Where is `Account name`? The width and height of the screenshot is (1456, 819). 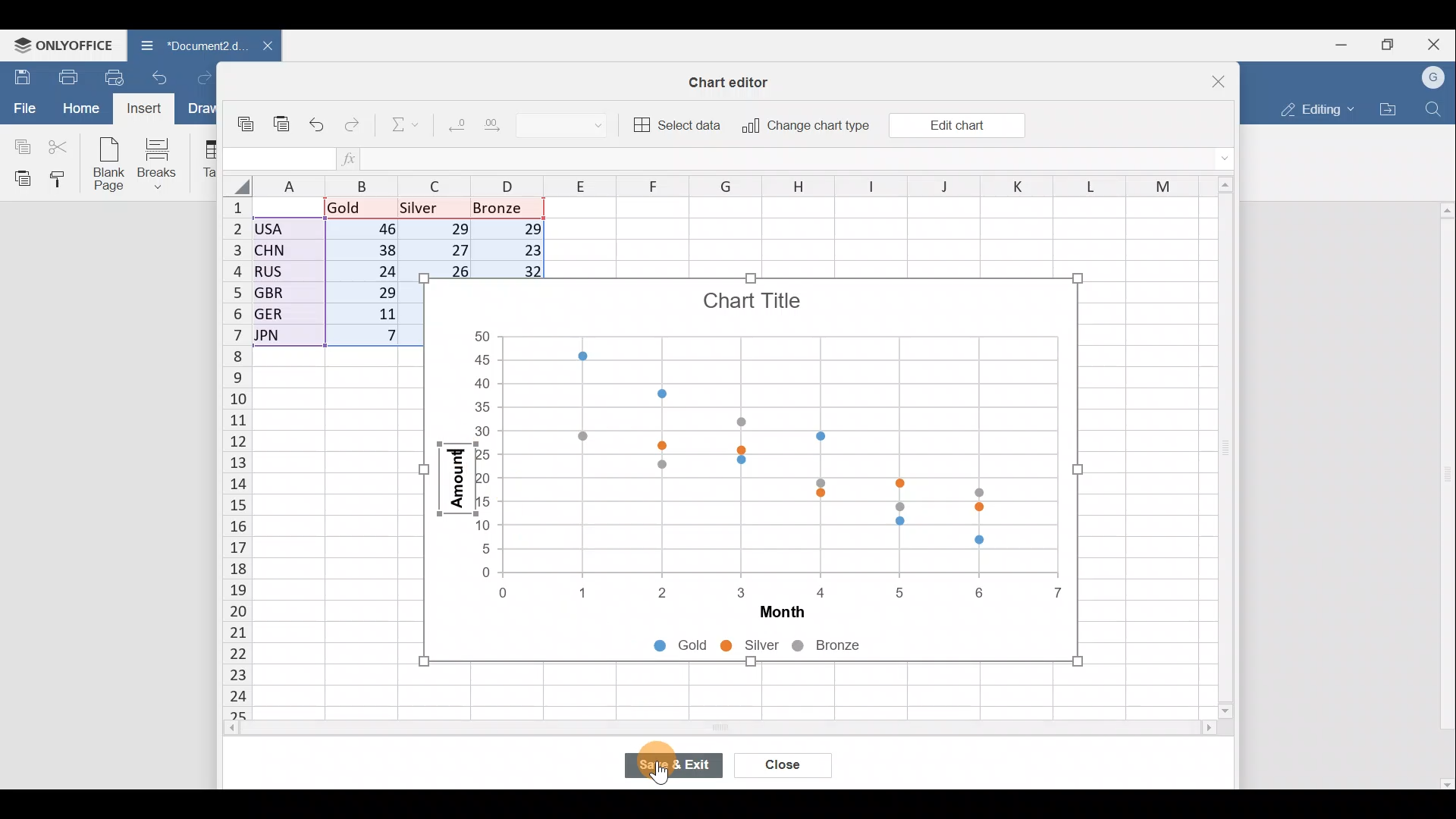
Account name is located at coordinates (1435, 76).